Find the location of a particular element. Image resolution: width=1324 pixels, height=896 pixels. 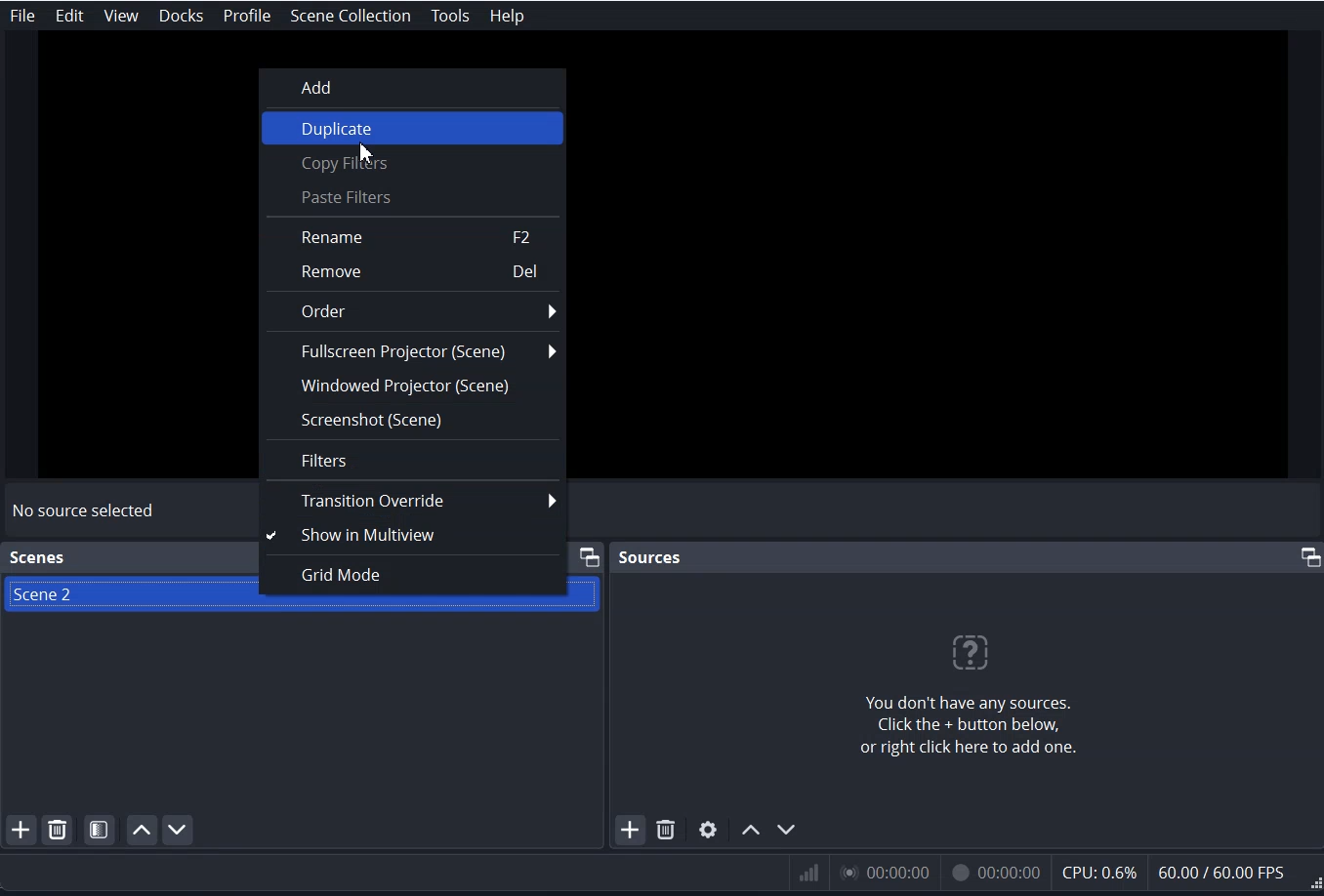

Show in Multiview is located at coordinates (413, 536).